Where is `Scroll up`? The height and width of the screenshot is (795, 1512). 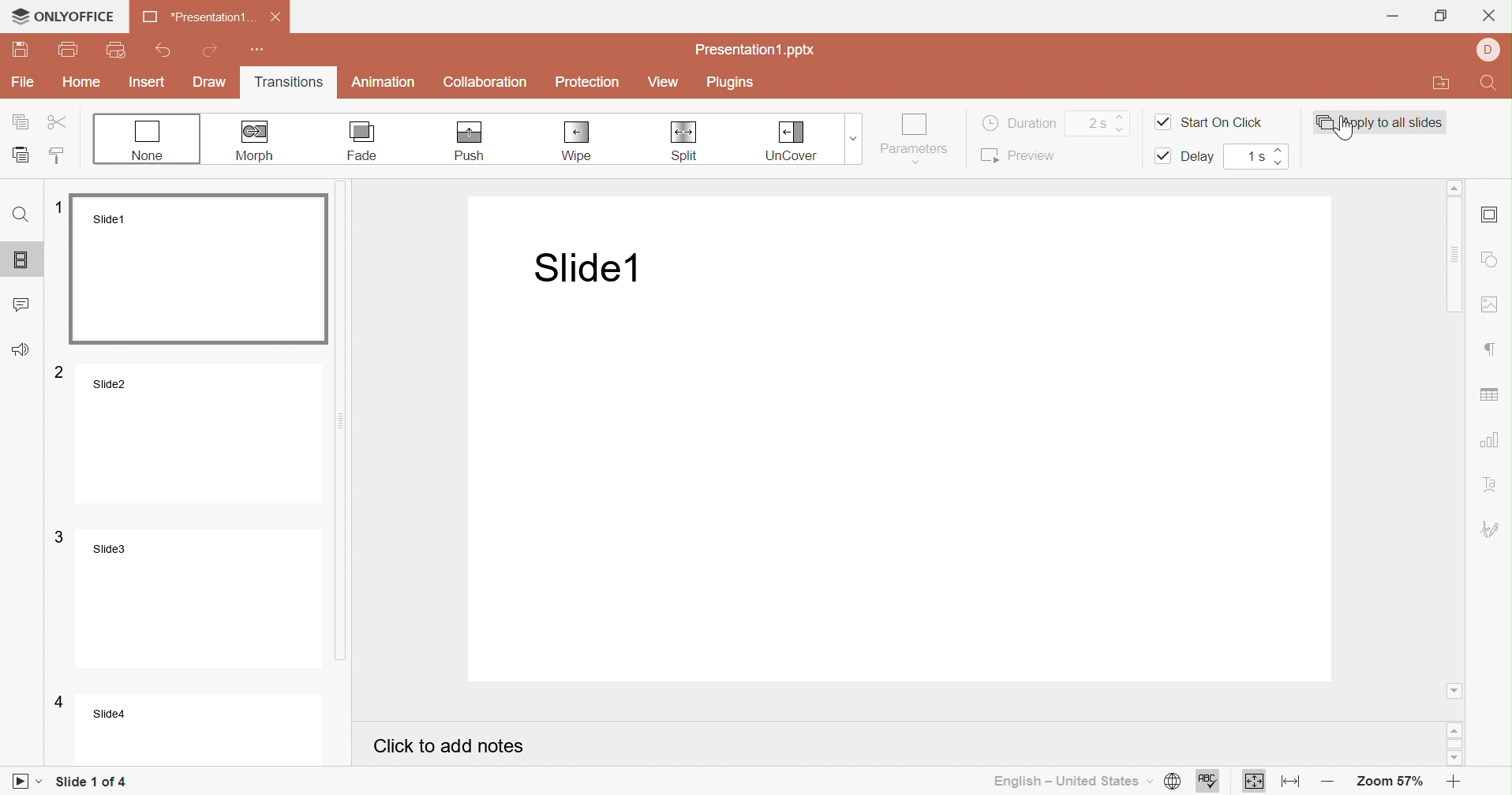
Scroll up is located at coordinates (1458, 188).